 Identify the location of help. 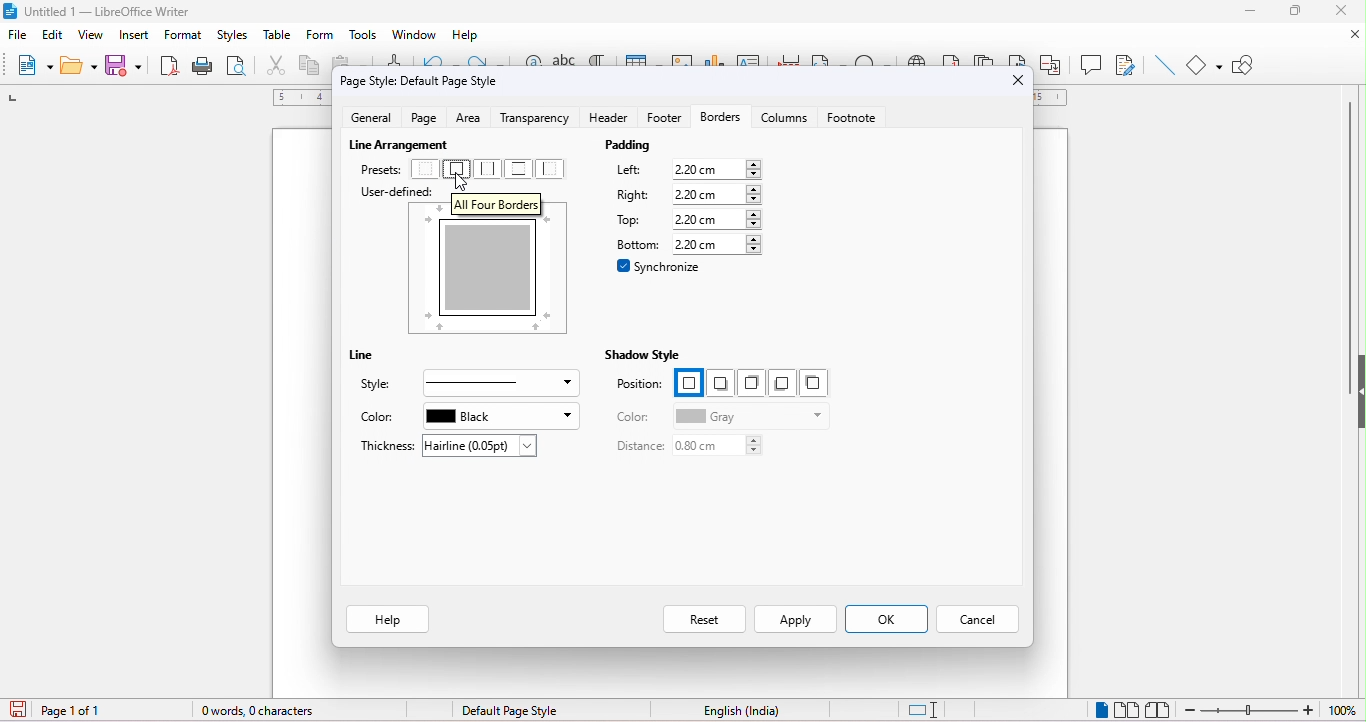
(465, 35).